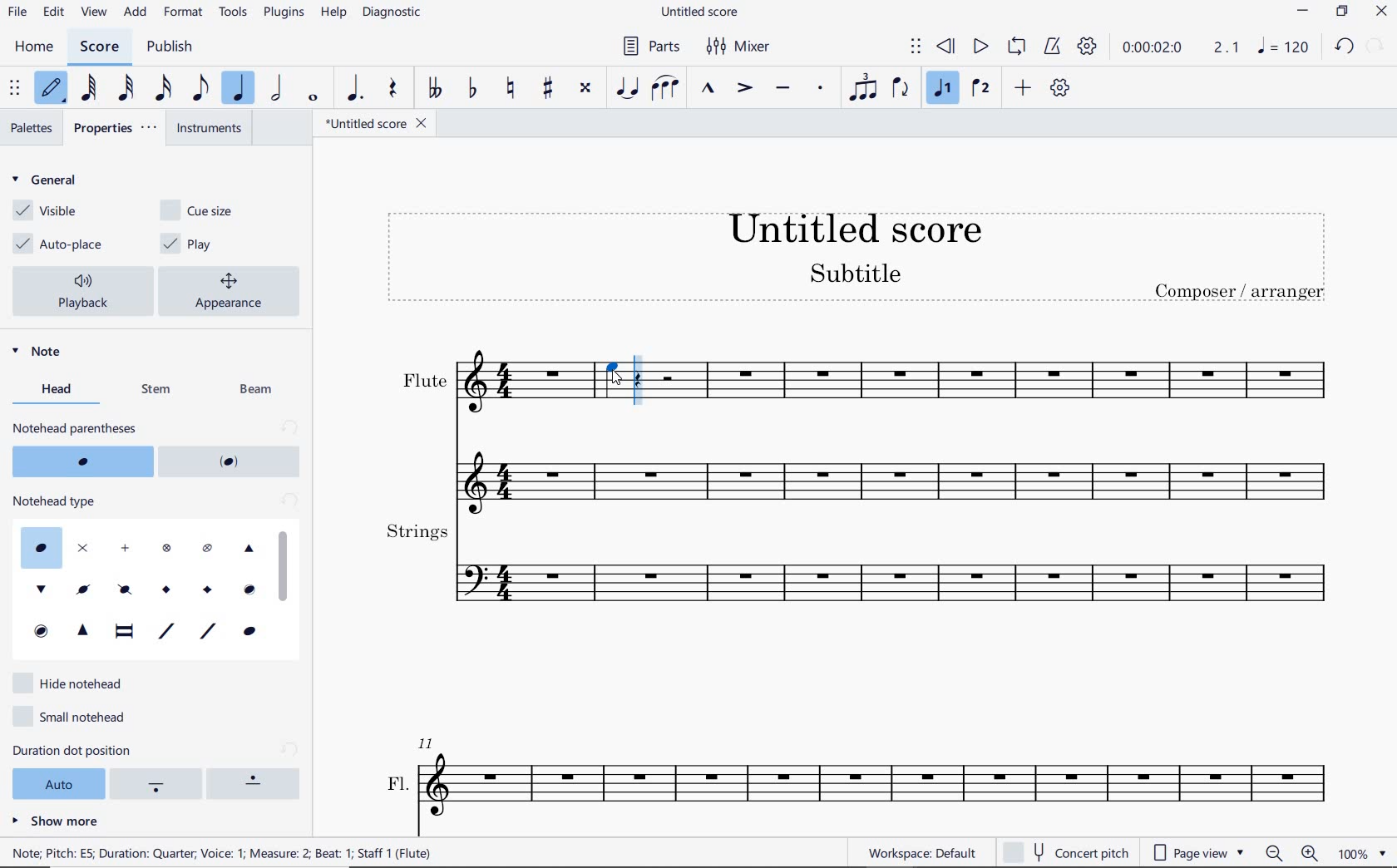 This screenshot has height=868, width=1397. I want to click on HIDE NOTEHEAD, so click(71, 683).